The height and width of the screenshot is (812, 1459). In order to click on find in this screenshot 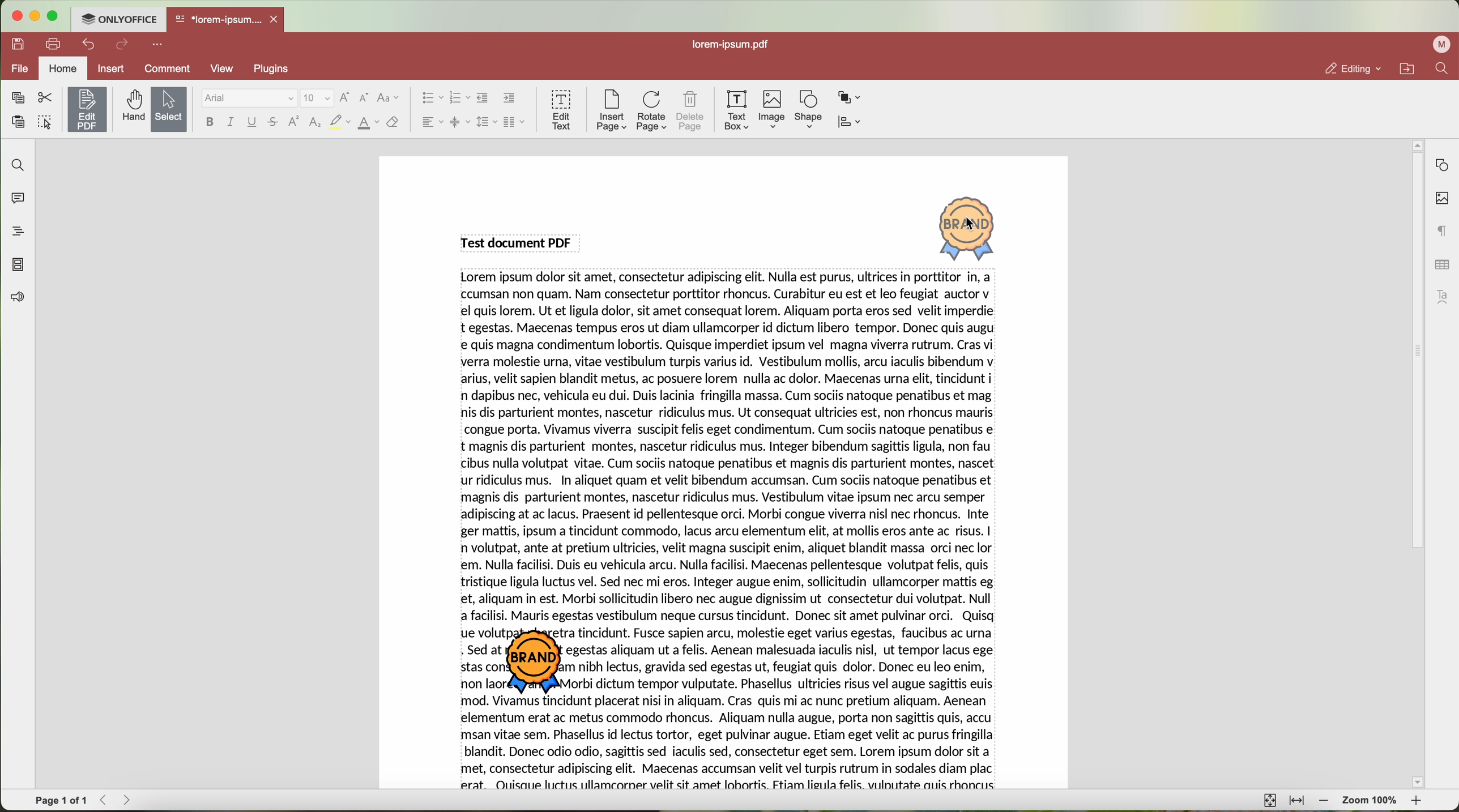, I will do `click(15, 164)`.